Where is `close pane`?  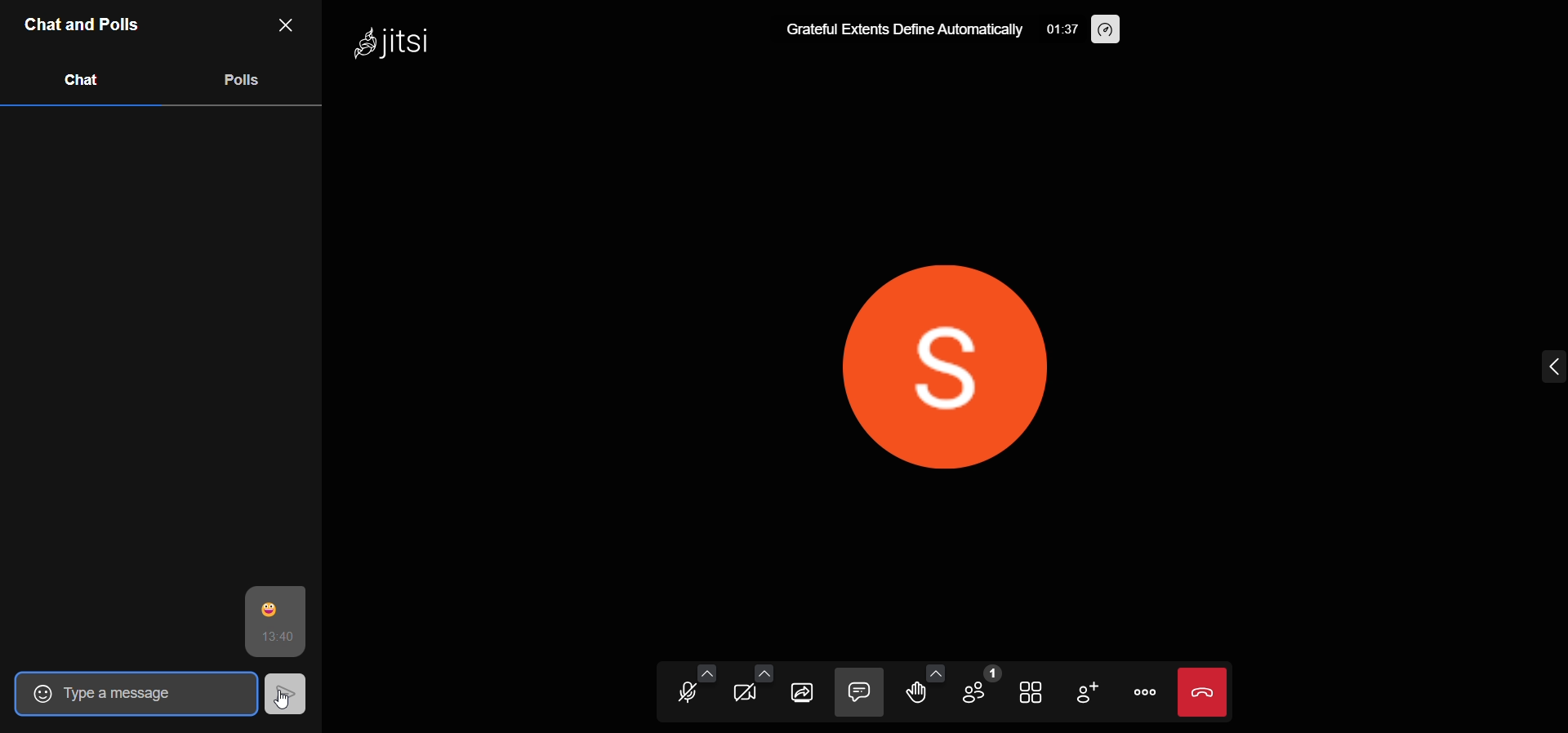 close pane is located at coordinates (292, 26).